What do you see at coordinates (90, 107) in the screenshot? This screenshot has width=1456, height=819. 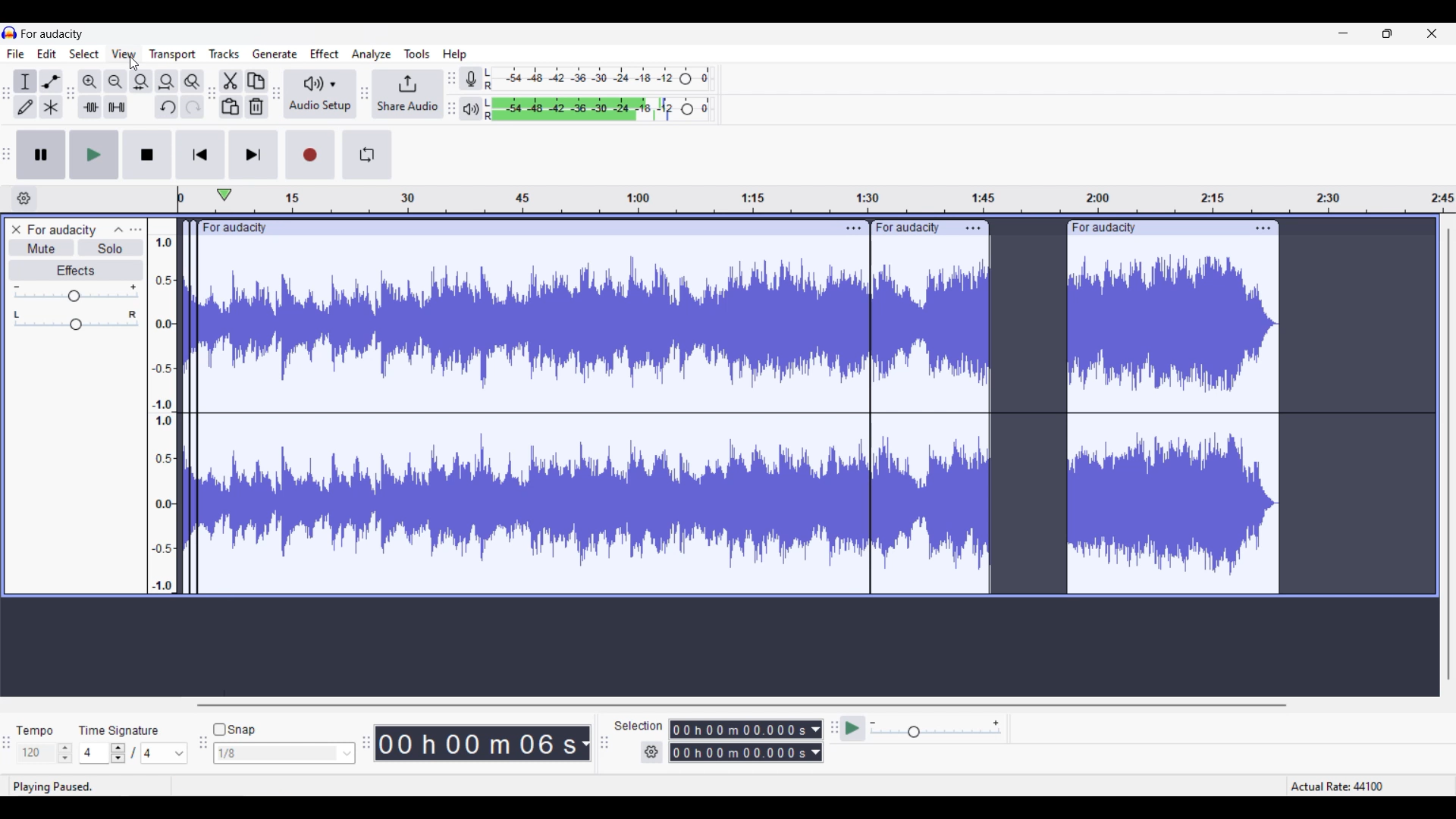 I see `Trim audio outside selection` at bounding box center [90, 107].